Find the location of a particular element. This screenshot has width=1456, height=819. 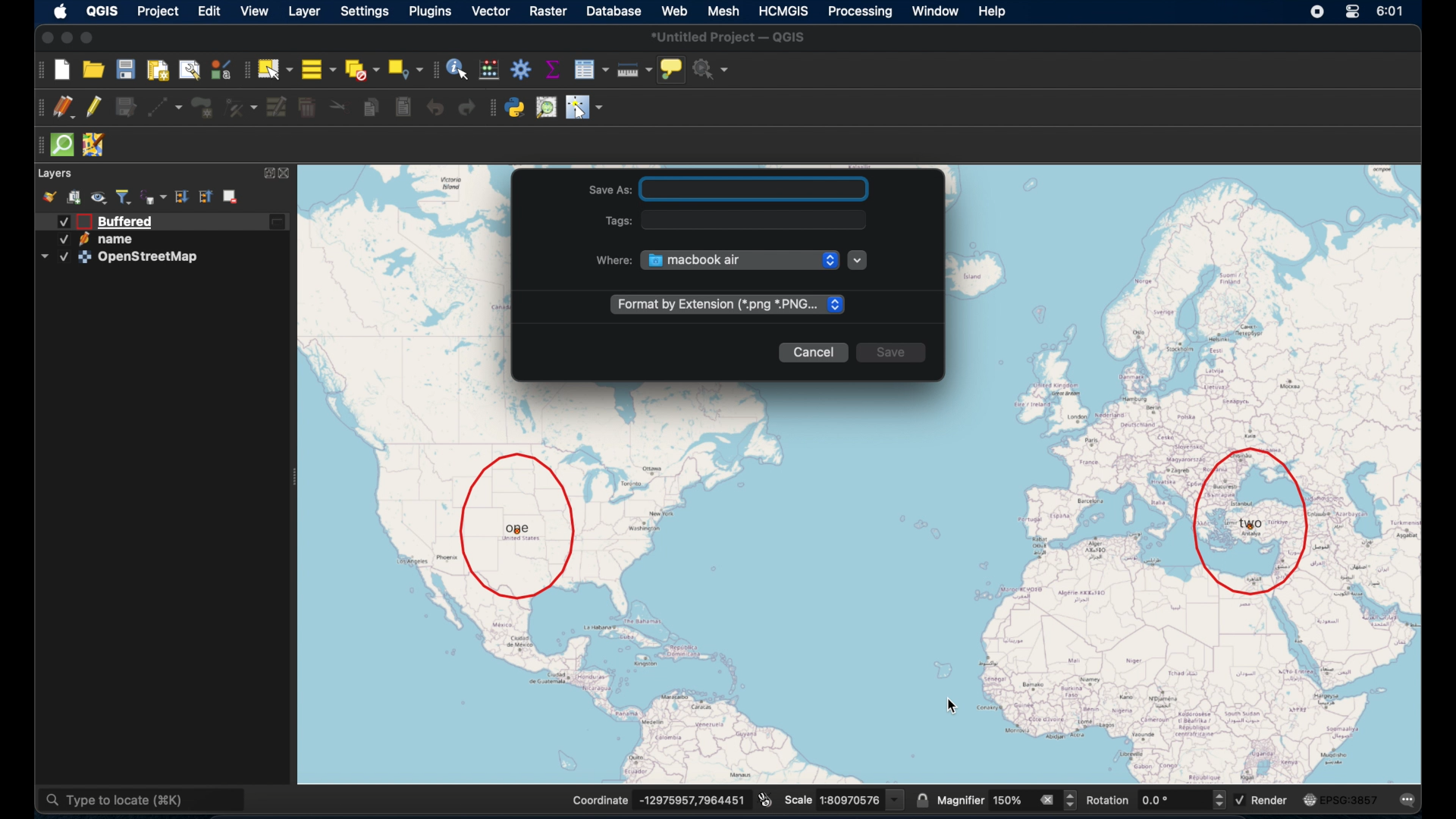

cancel is located at coordinates (816, 353).